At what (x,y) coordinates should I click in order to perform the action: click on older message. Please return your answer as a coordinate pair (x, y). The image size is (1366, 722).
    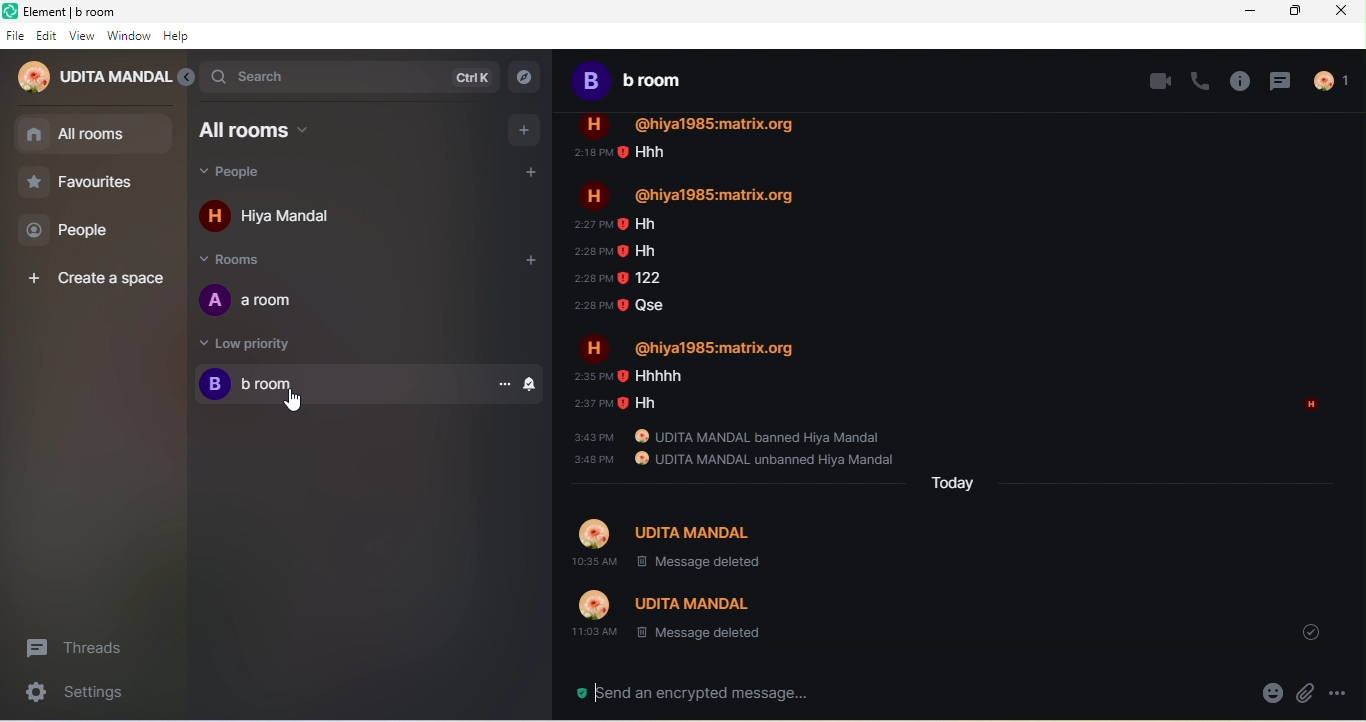
    Looking at the image, I should click on (969, 382).